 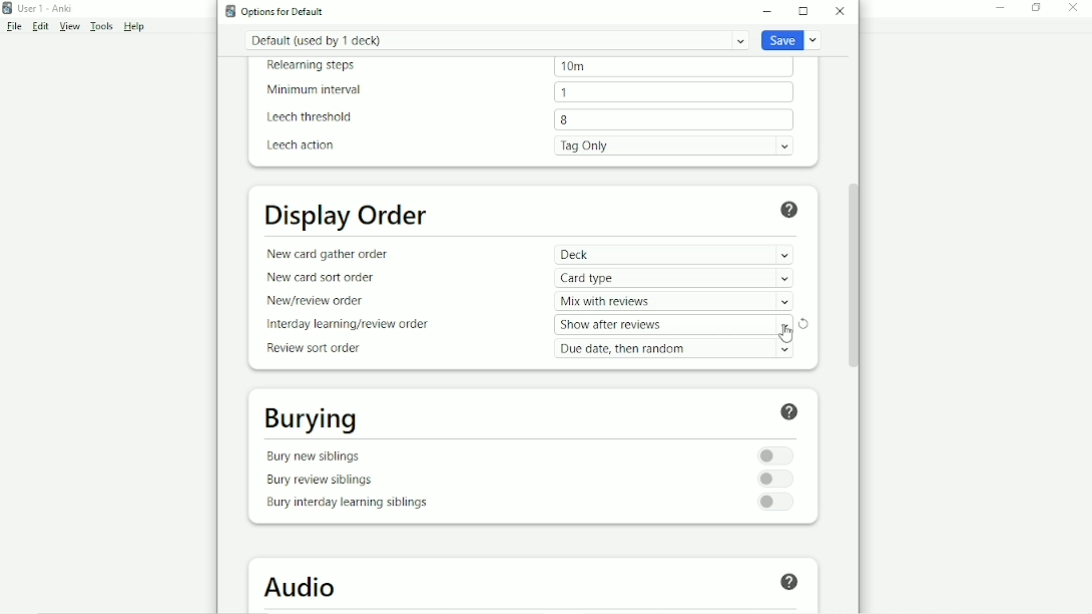 I want to click on Restore down, so click(x=1036, y=9).